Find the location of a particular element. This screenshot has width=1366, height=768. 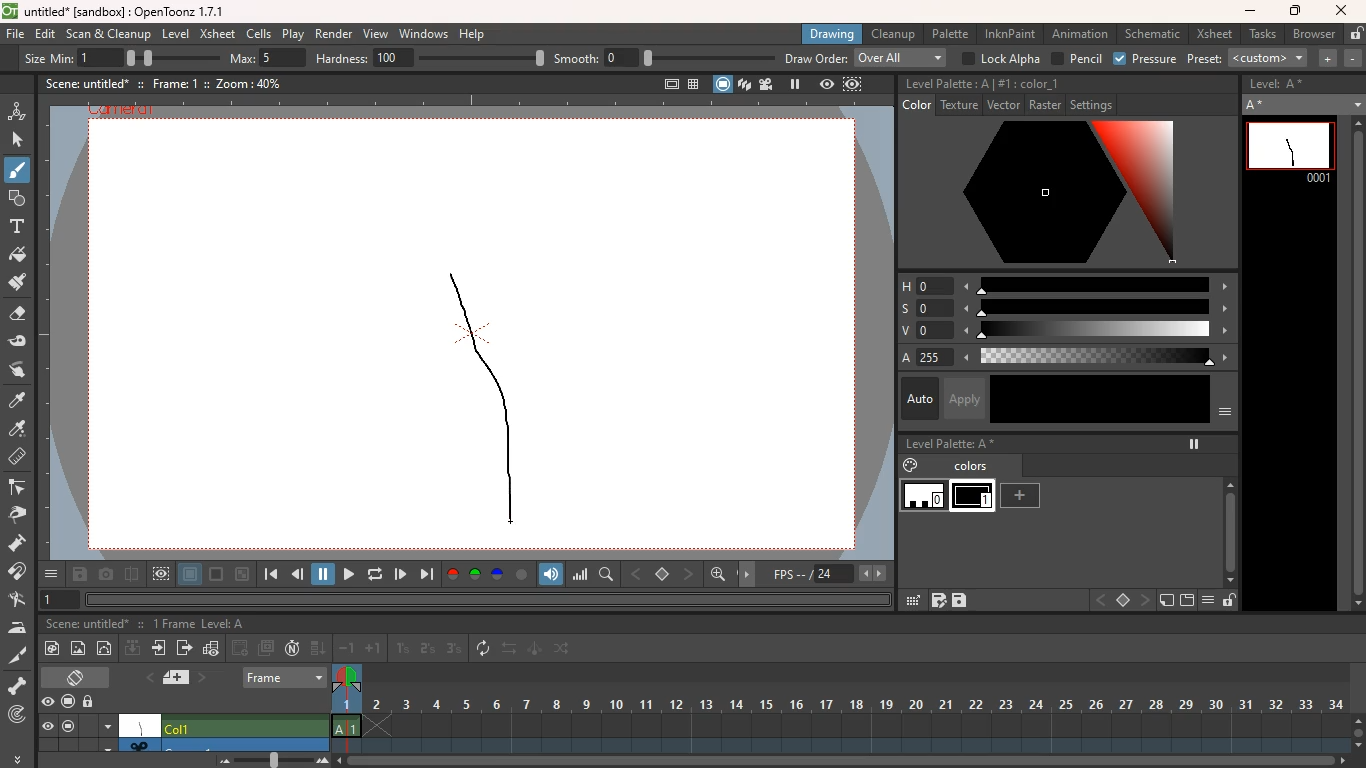

size is located at coordinates (165, 57).